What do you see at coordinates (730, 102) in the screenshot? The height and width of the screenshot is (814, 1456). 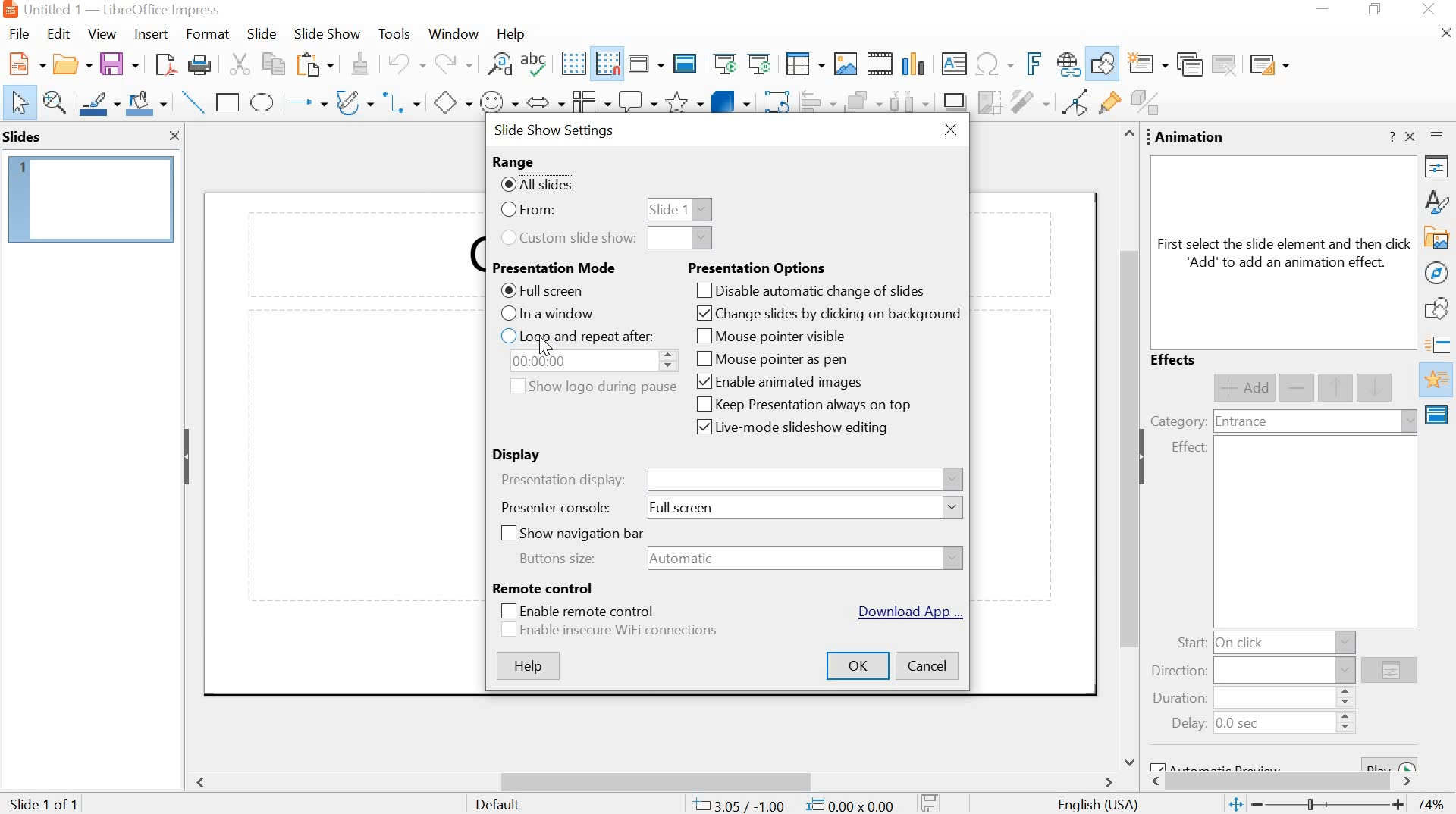 I see `3d objects` at bounding box center [730, 102].